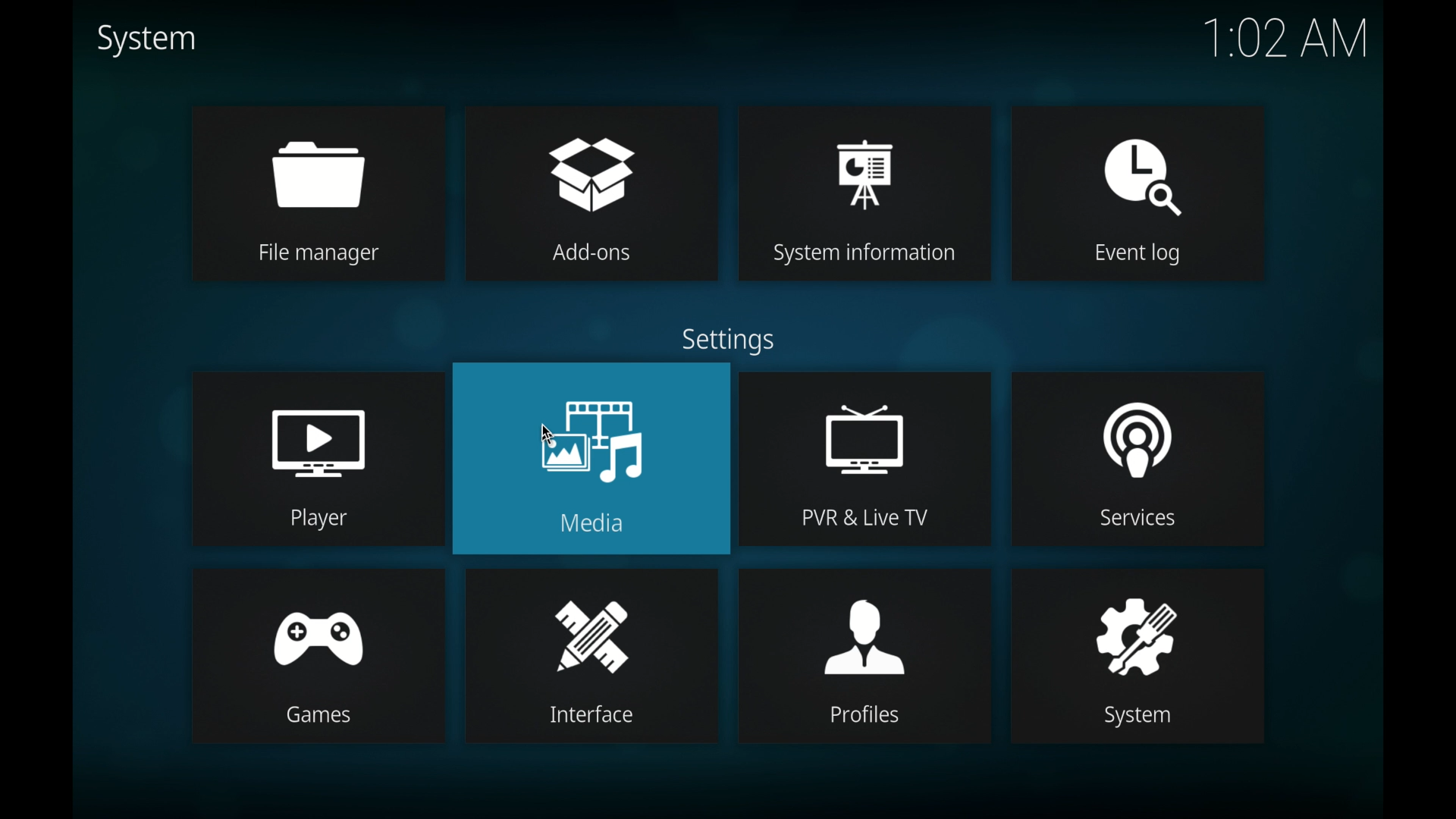 Image resolution: width=1456 pixels, height=819 pixels. I want to click on Interface, so click(597, 719).